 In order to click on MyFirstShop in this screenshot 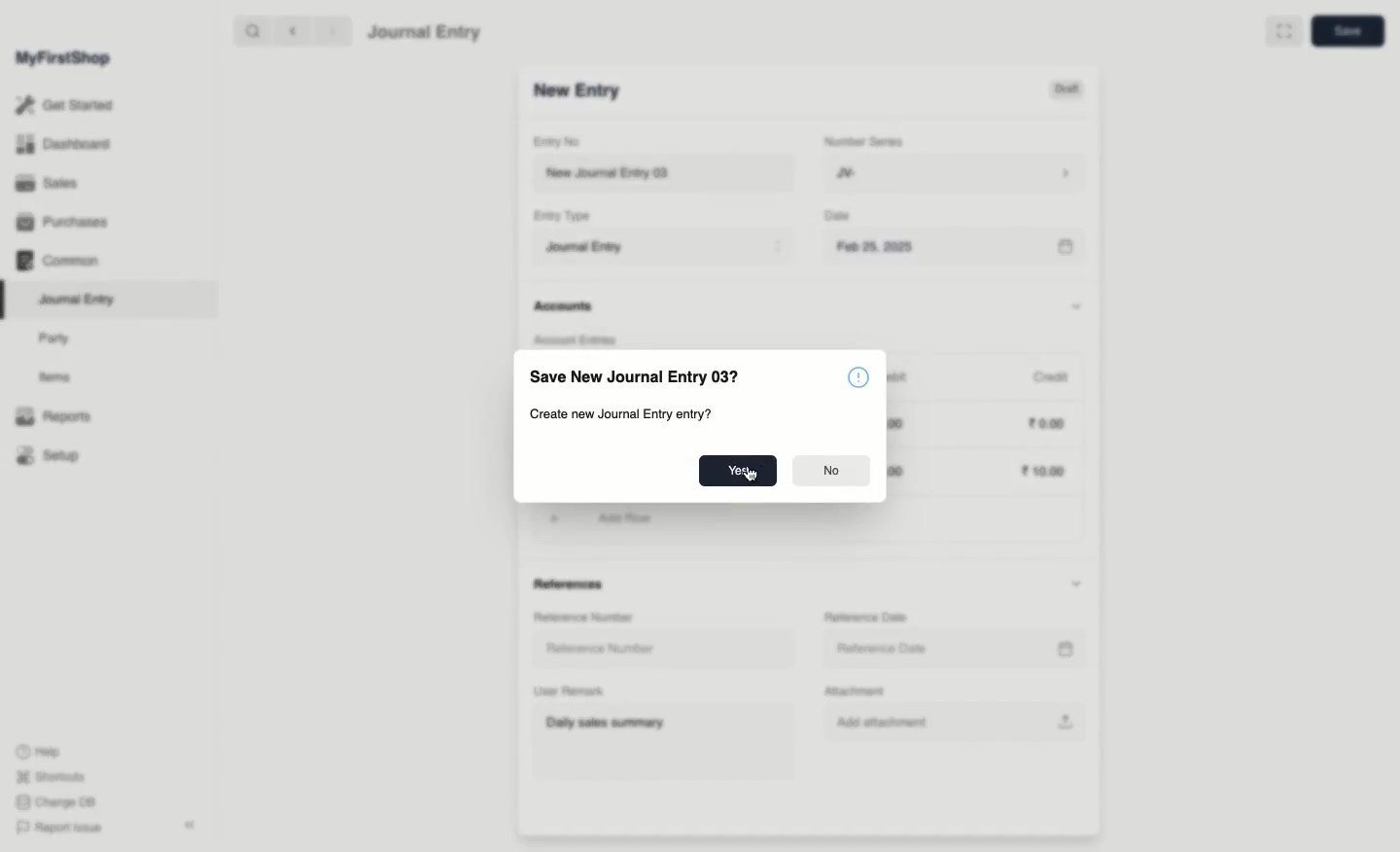, I will do `click(61, 59)`.